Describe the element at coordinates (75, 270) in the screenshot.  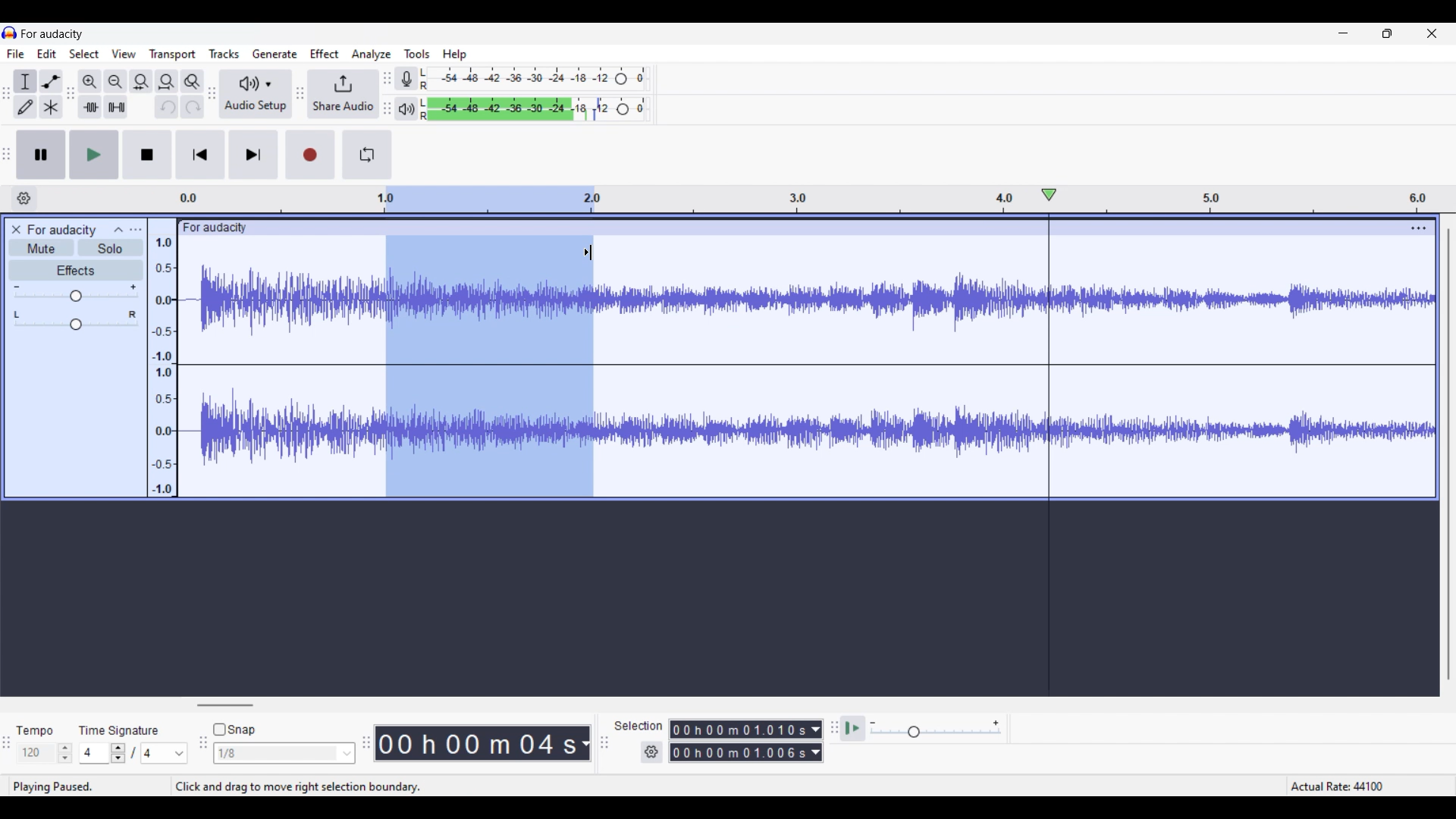
I see `Effects` at that location.